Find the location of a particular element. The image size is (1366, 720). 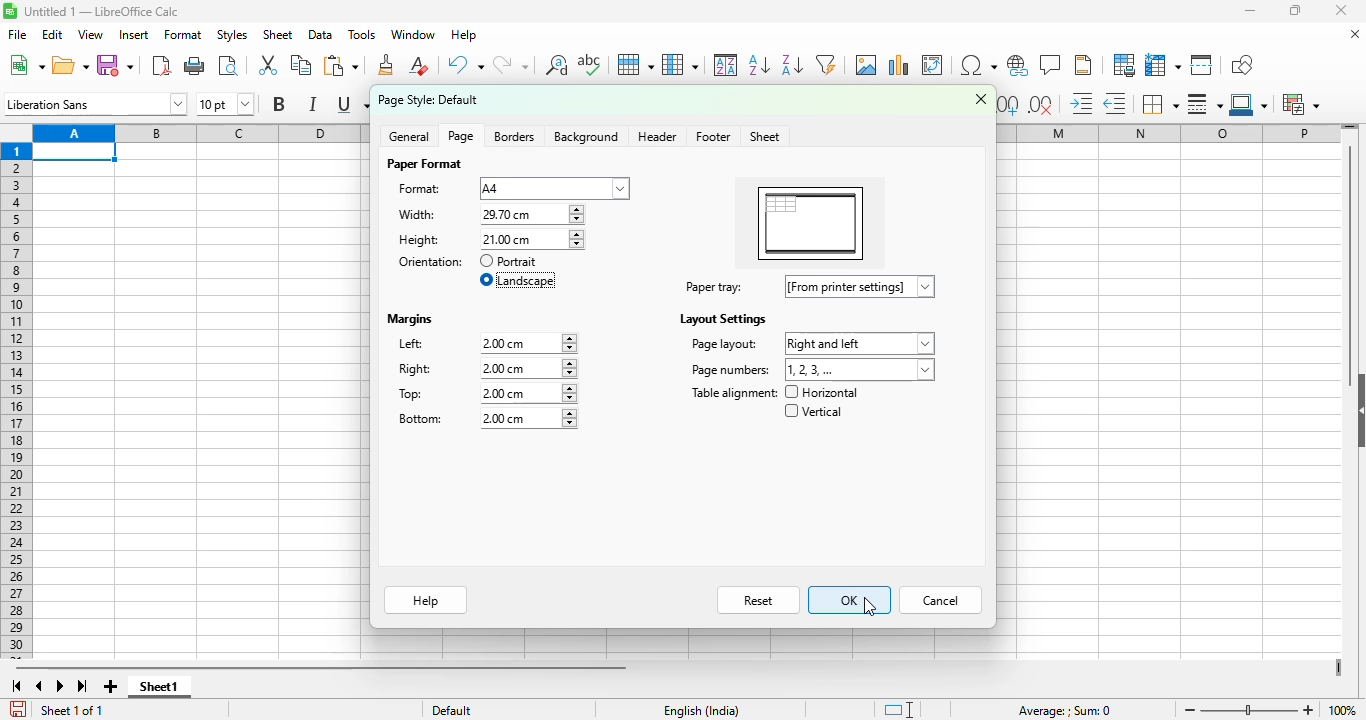

insert hyperlink is located at coordinates (1019, 65).